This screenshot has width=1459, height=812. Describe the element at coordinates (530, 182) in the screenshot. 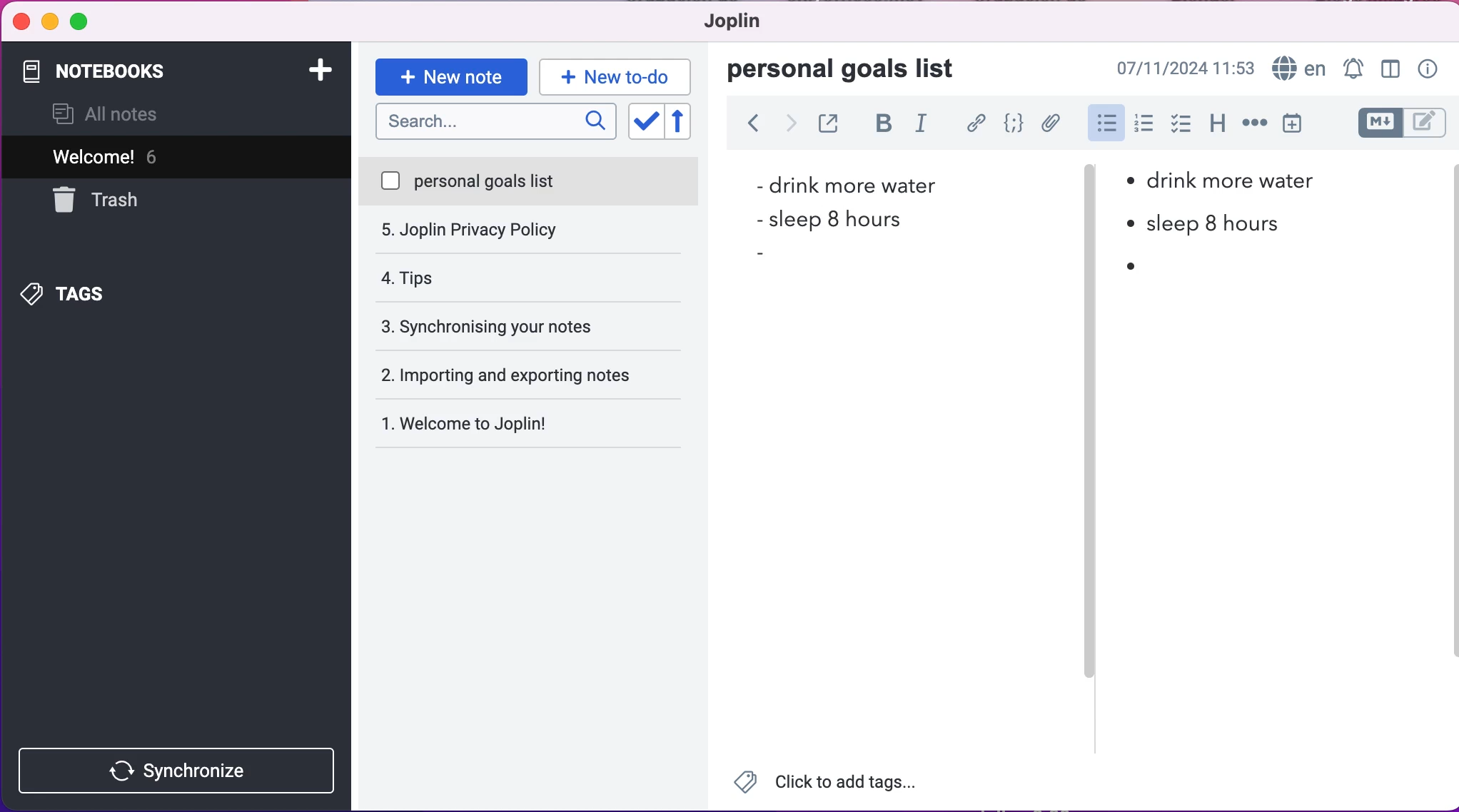

I see `personal goals list` at that location.